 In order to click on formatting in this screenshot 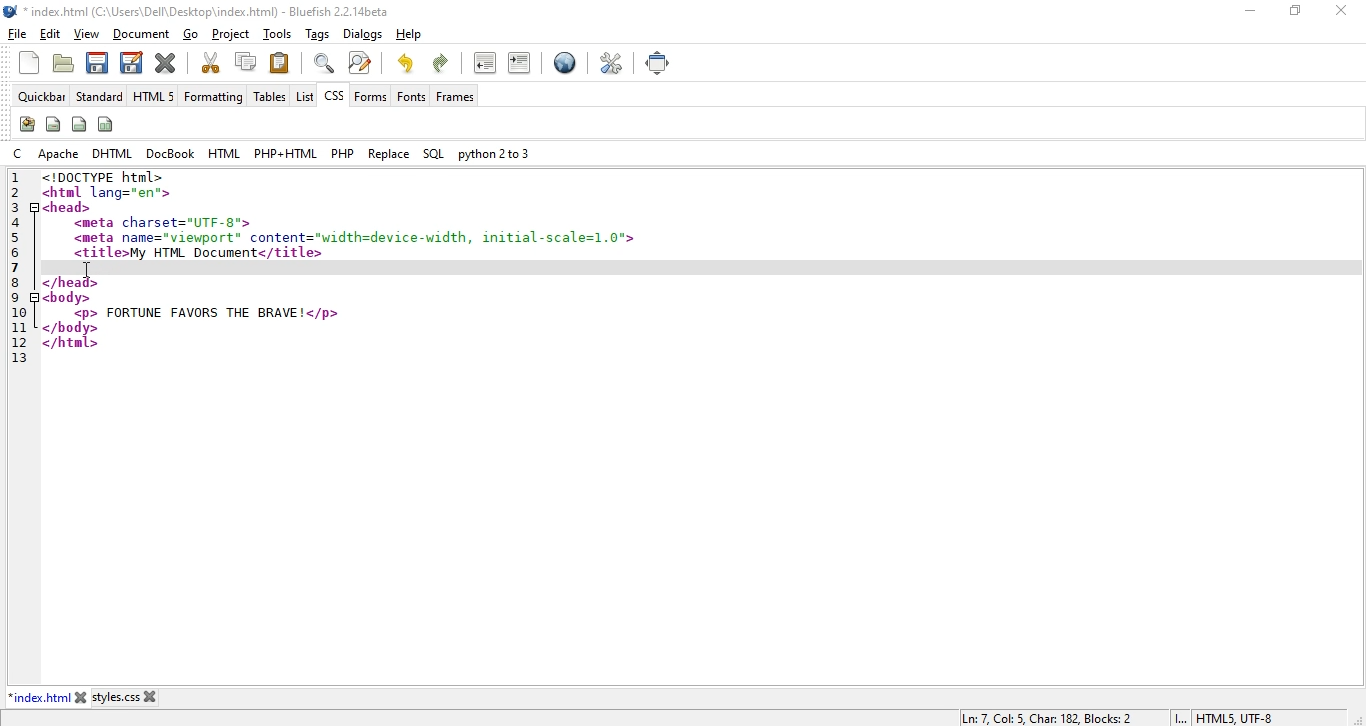, I will do `click(213, 98)`.